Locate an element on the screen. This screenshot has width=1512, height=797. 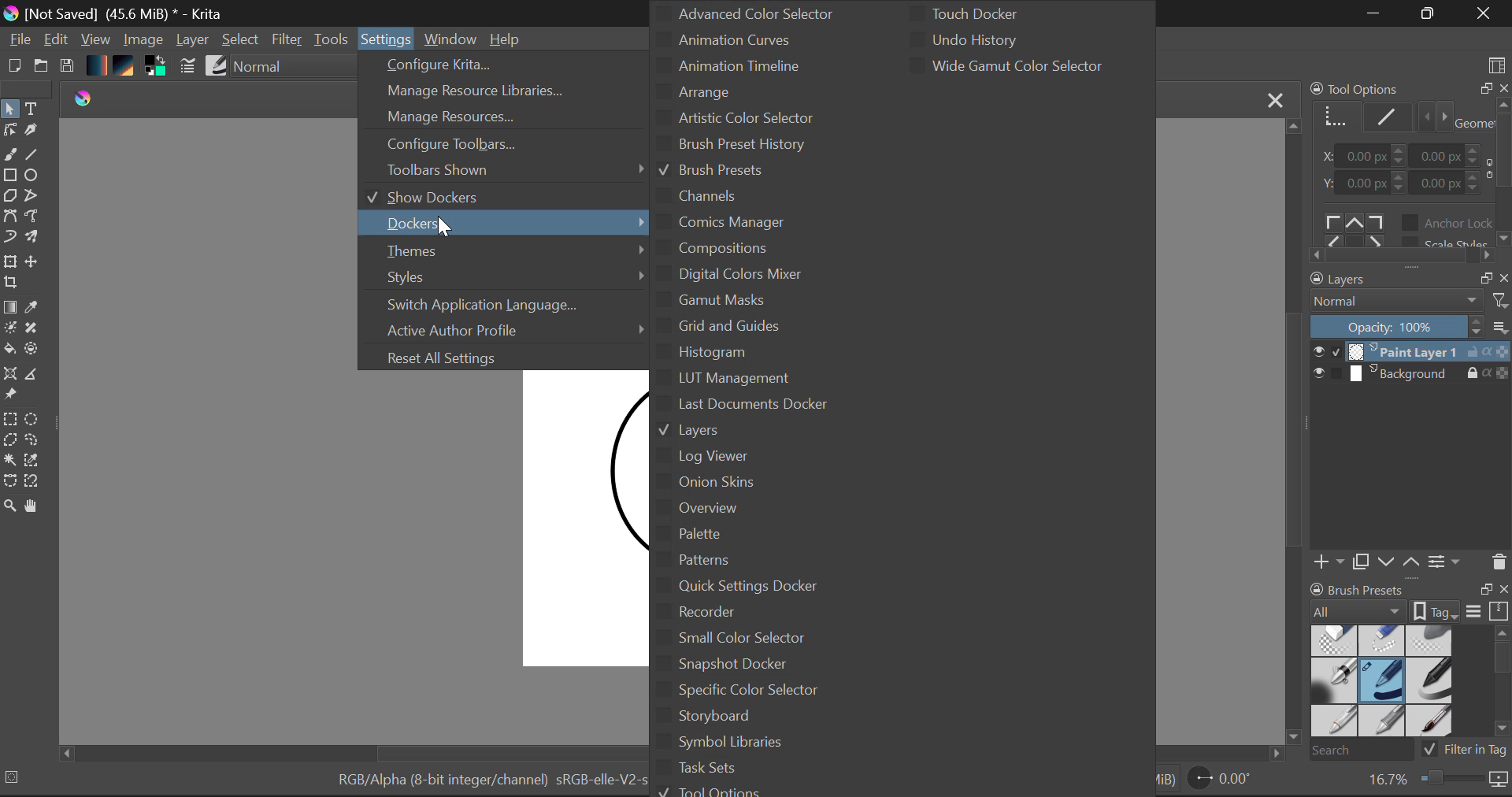
Close is located at coordinates (1487, 13).